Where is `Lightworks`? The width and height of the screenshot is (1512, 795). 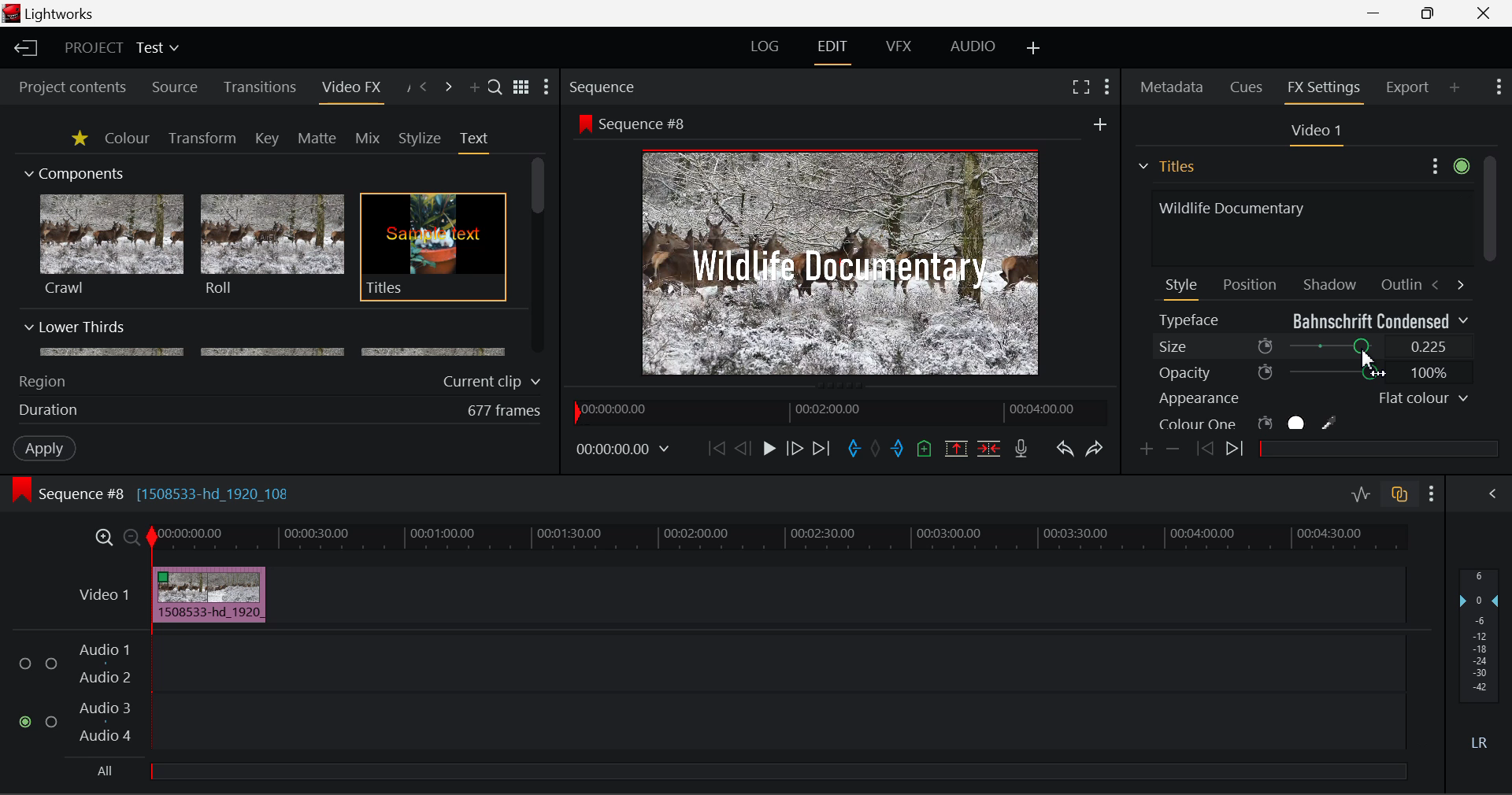
Lightworks is located at coordinates (61, 13).